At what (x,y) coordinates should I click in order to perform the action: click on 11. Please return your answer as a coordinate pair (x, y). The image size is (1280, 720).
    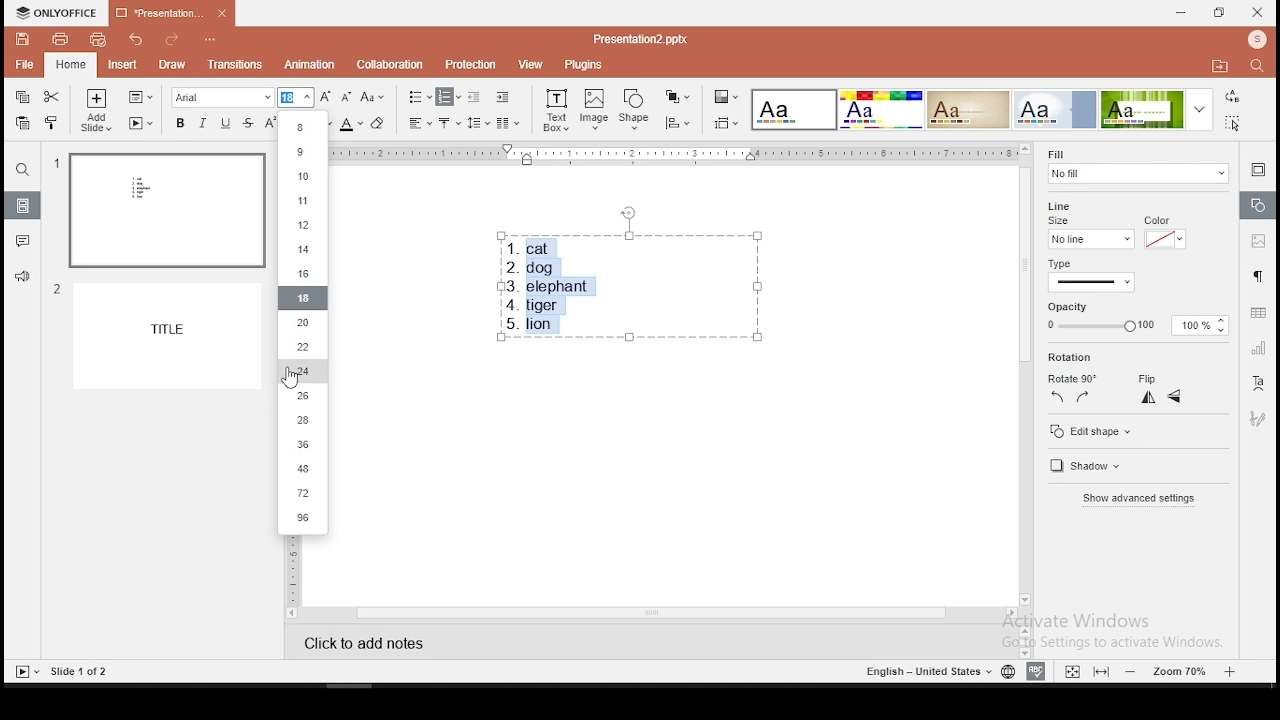
    Looking at the image, I should click on (303, 201).